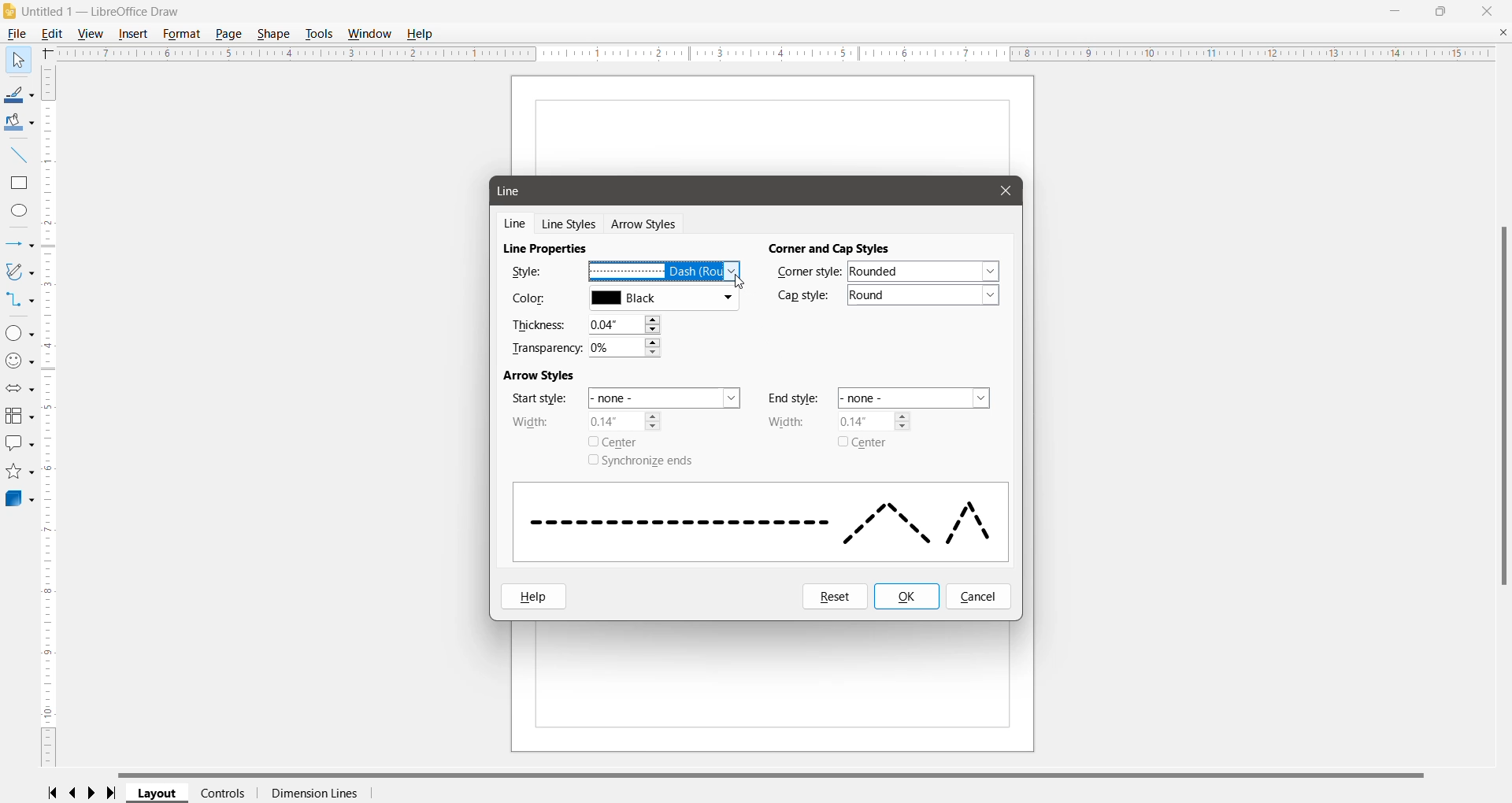 The width and height of the screenshot is (1512, 803). Describe the element at coordinates (53, 35) in the screenshot. I see `Edit` at that location.